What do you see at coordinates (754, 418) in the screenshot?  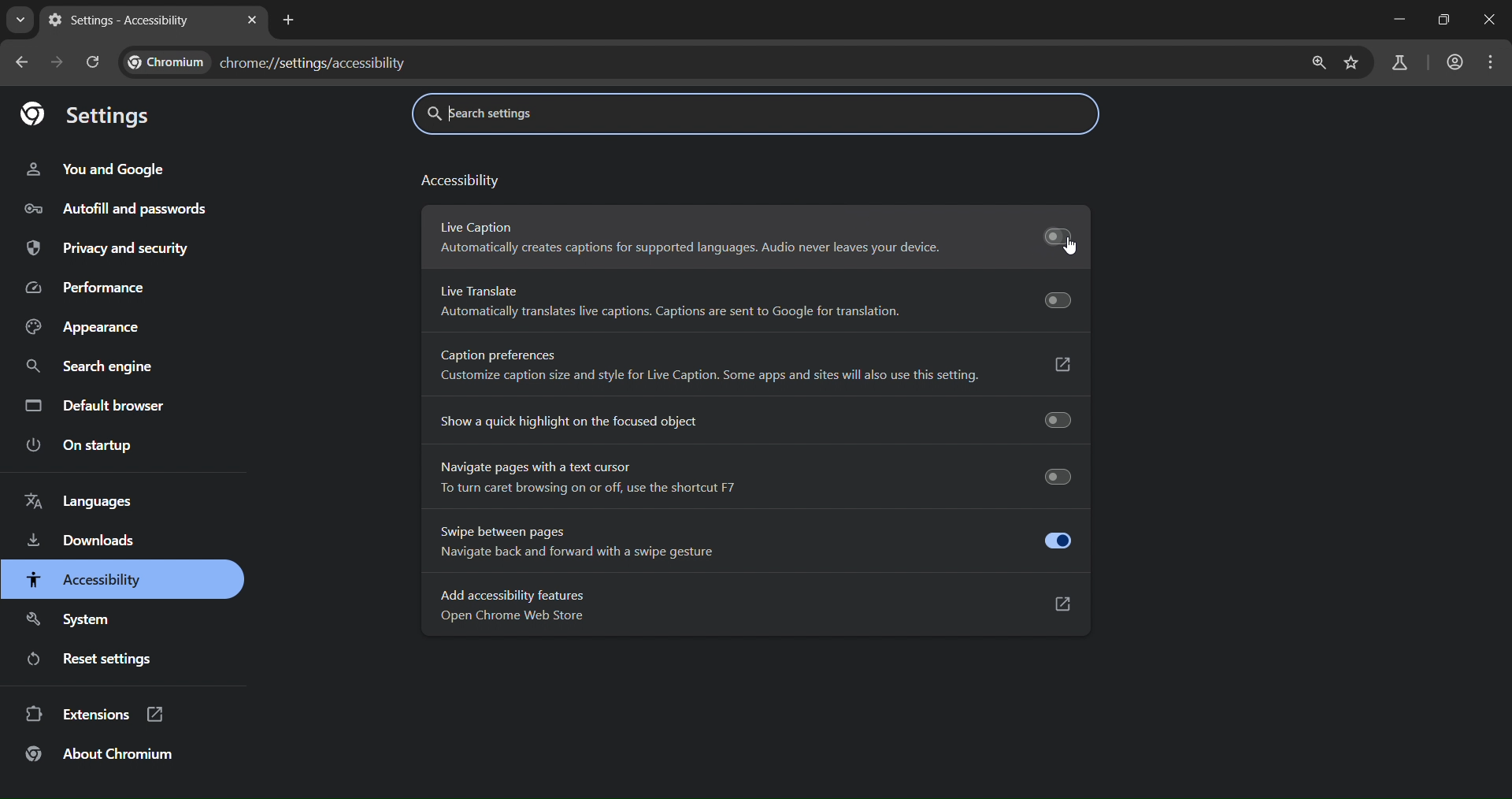 I see `show a quick highlight on the focused object` at bounding box center [754, 418].